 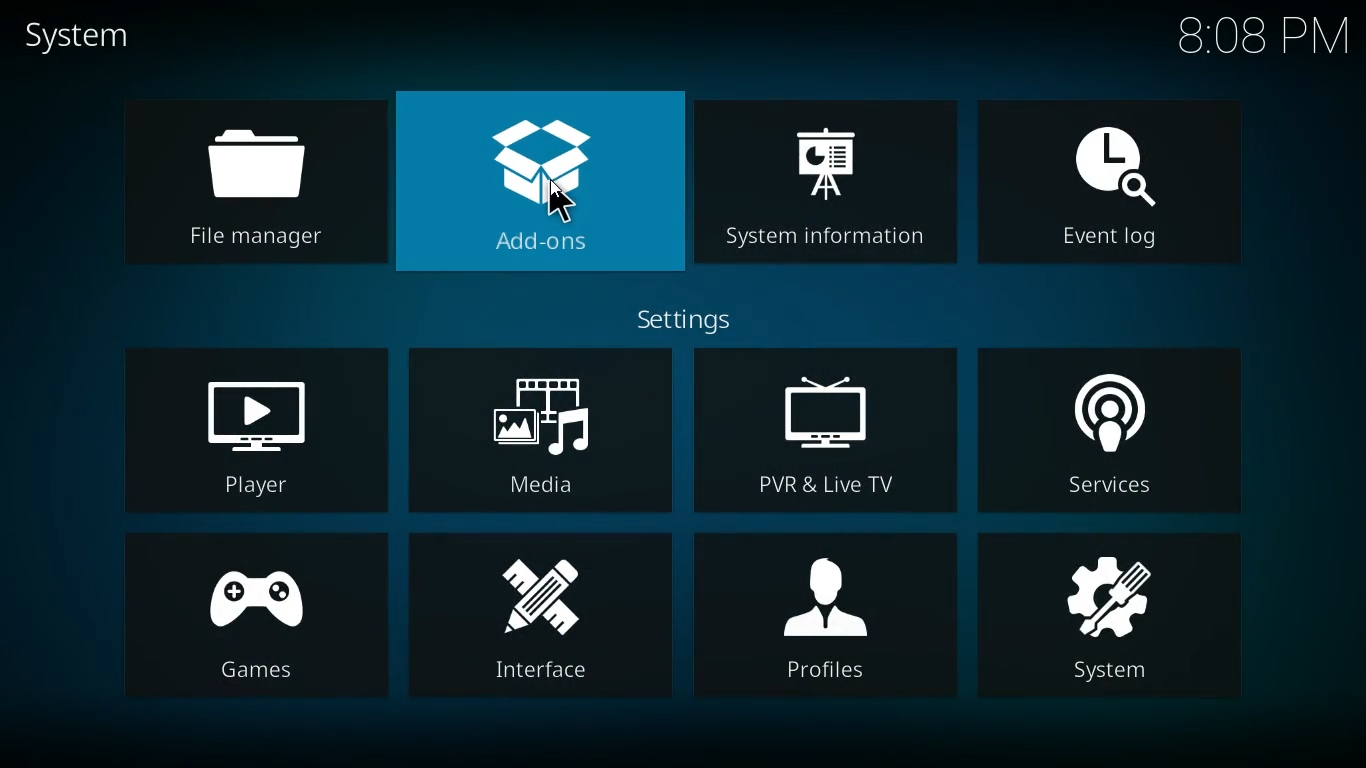 What do you see at coordinates (542, 187) in the screenshot?
I see `add-ons` at bounding box center [542, 187].